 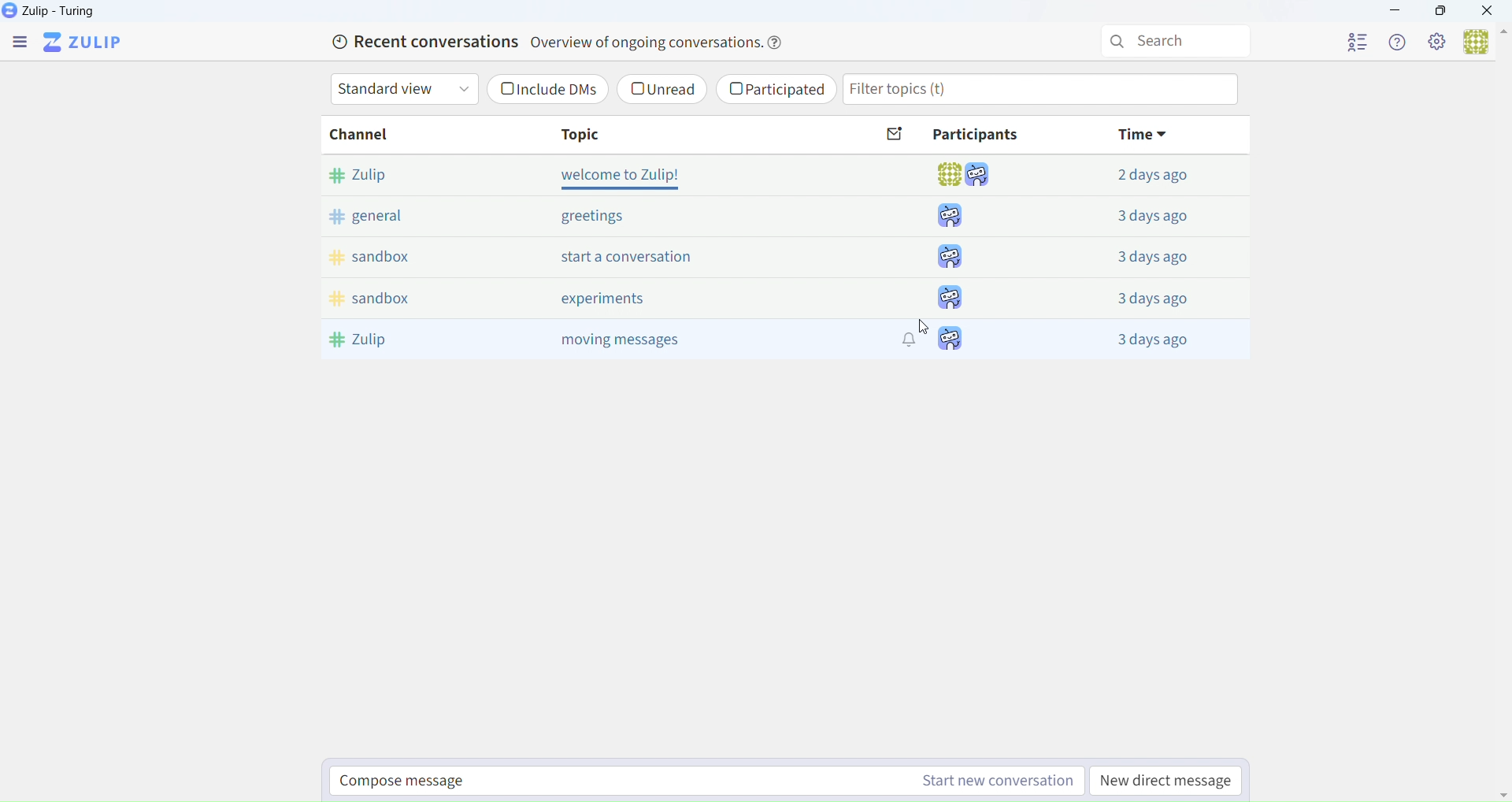 What do you see at coordinates (371, 136) in the screenshot?
I see `channel` at bounding box center [371, 136].